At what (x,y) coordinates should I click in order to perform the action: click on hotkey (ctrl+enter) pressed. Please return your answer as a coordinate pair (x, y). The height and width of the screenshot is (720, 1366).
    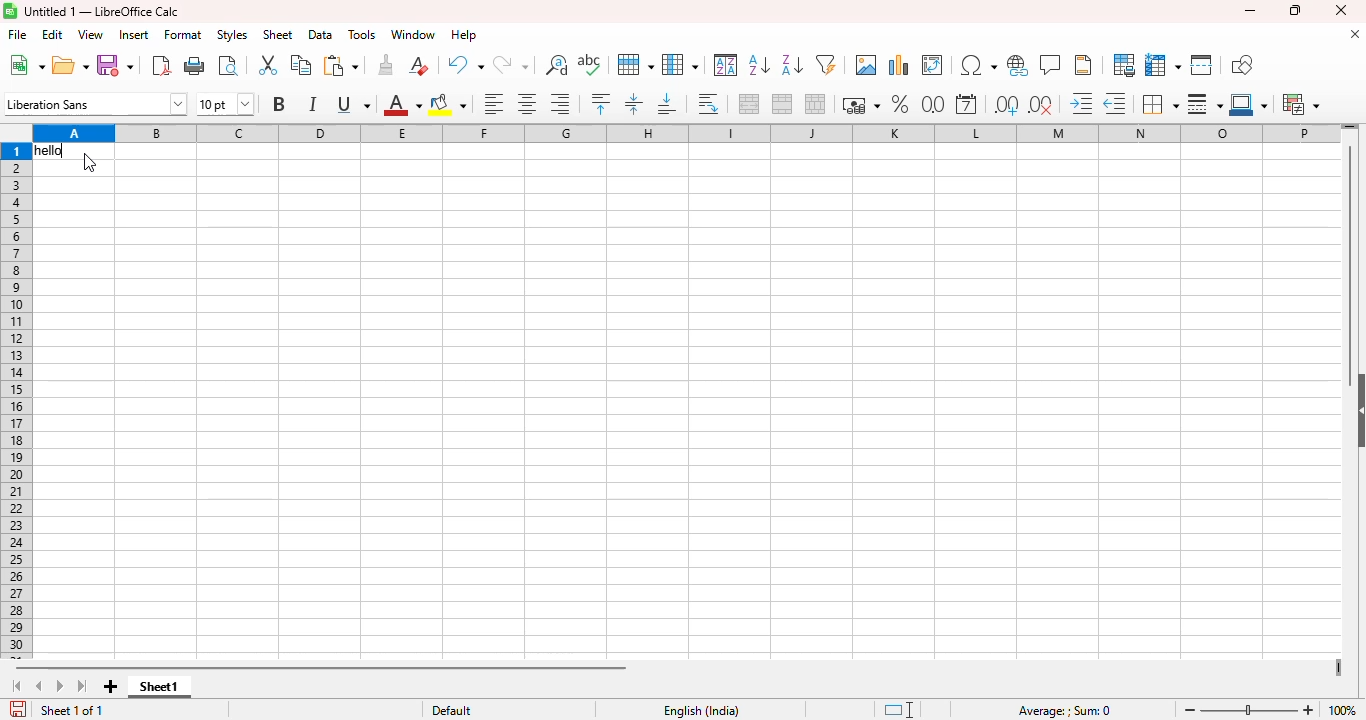
    Looking at the image, I should click on (53, 151).